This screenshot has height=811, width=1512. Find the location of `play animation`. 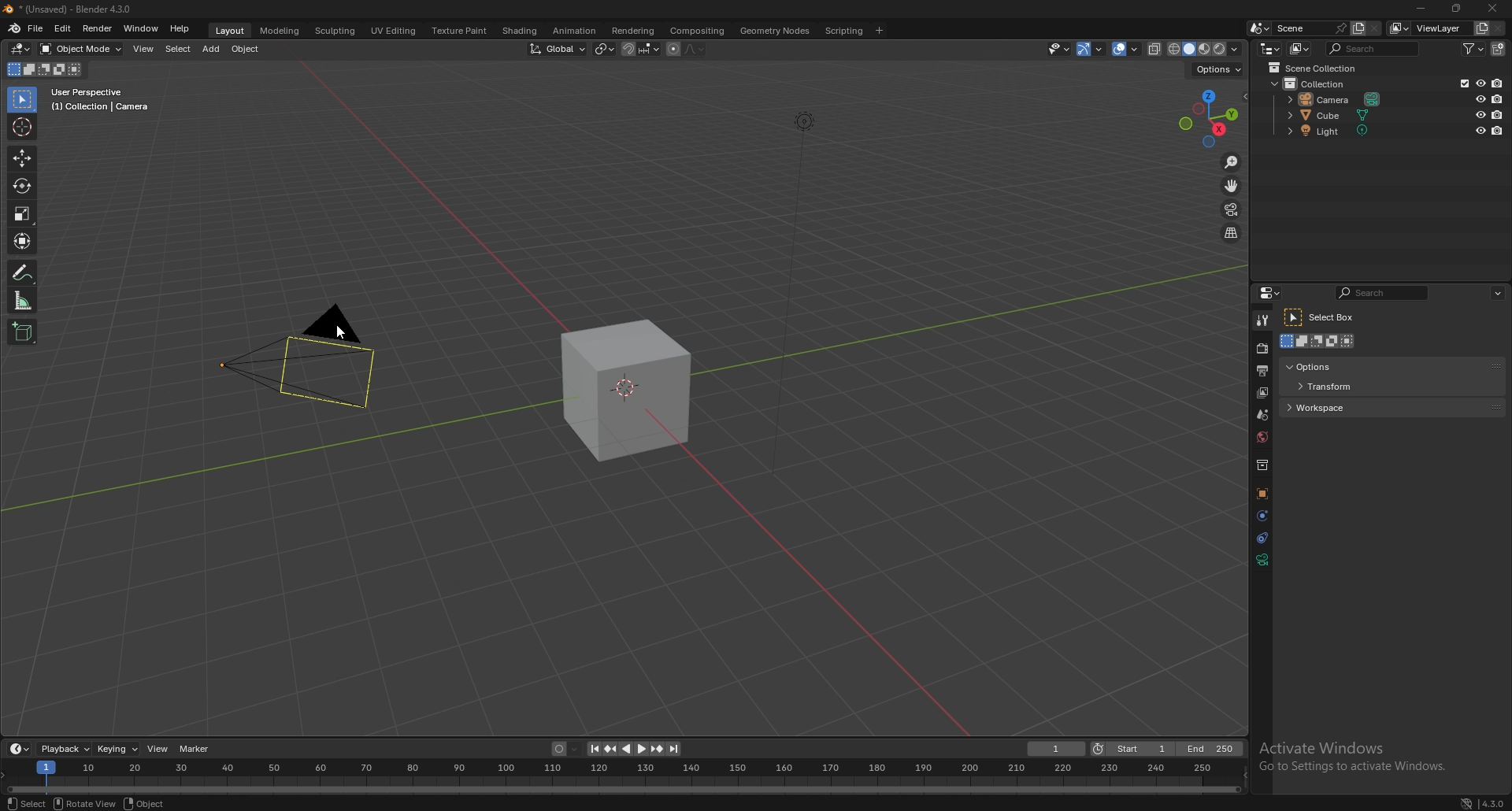

play animation is located at coordinates (635, 749).